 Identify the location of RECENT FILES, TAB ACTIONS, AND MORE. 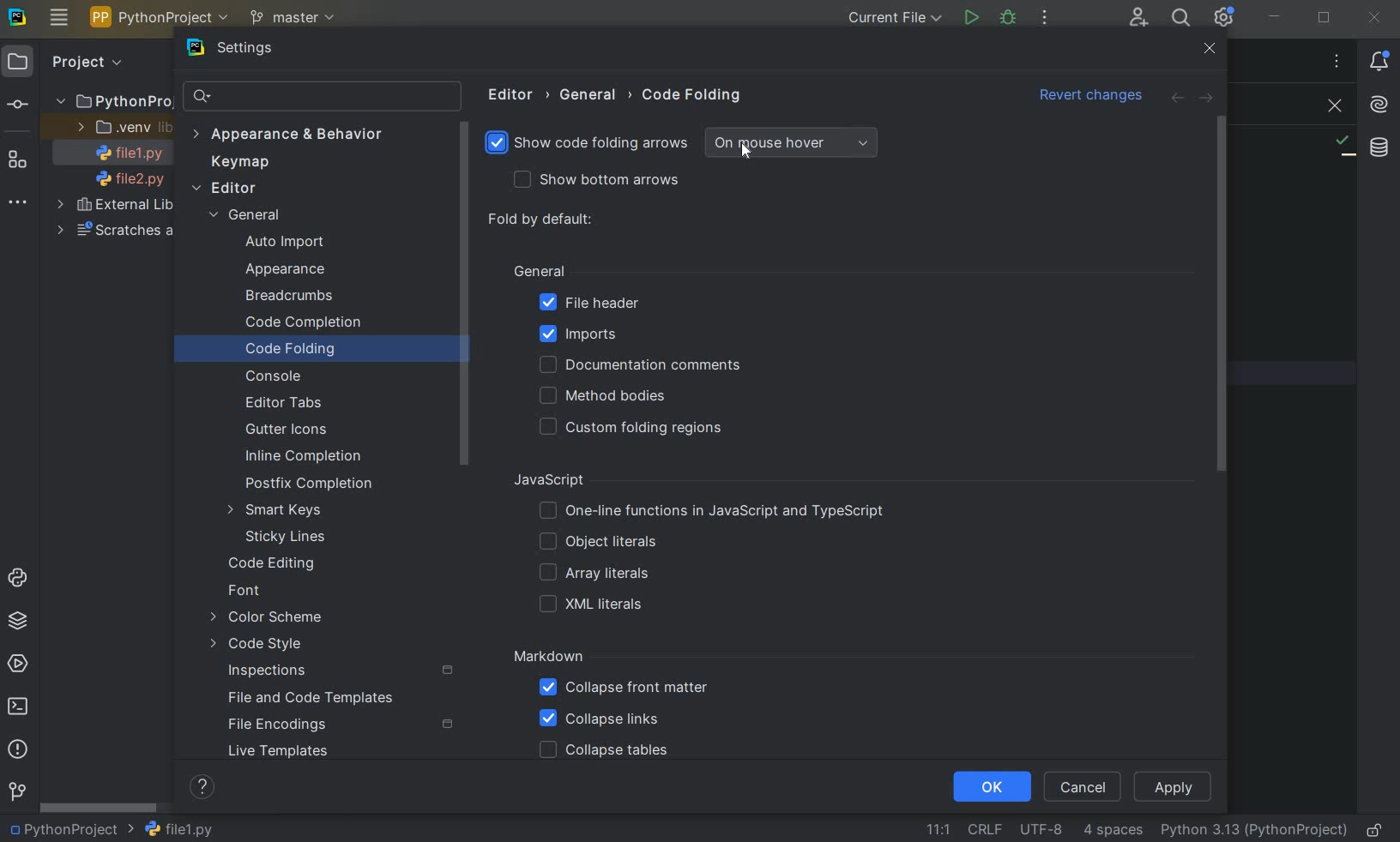
(1336, 61).